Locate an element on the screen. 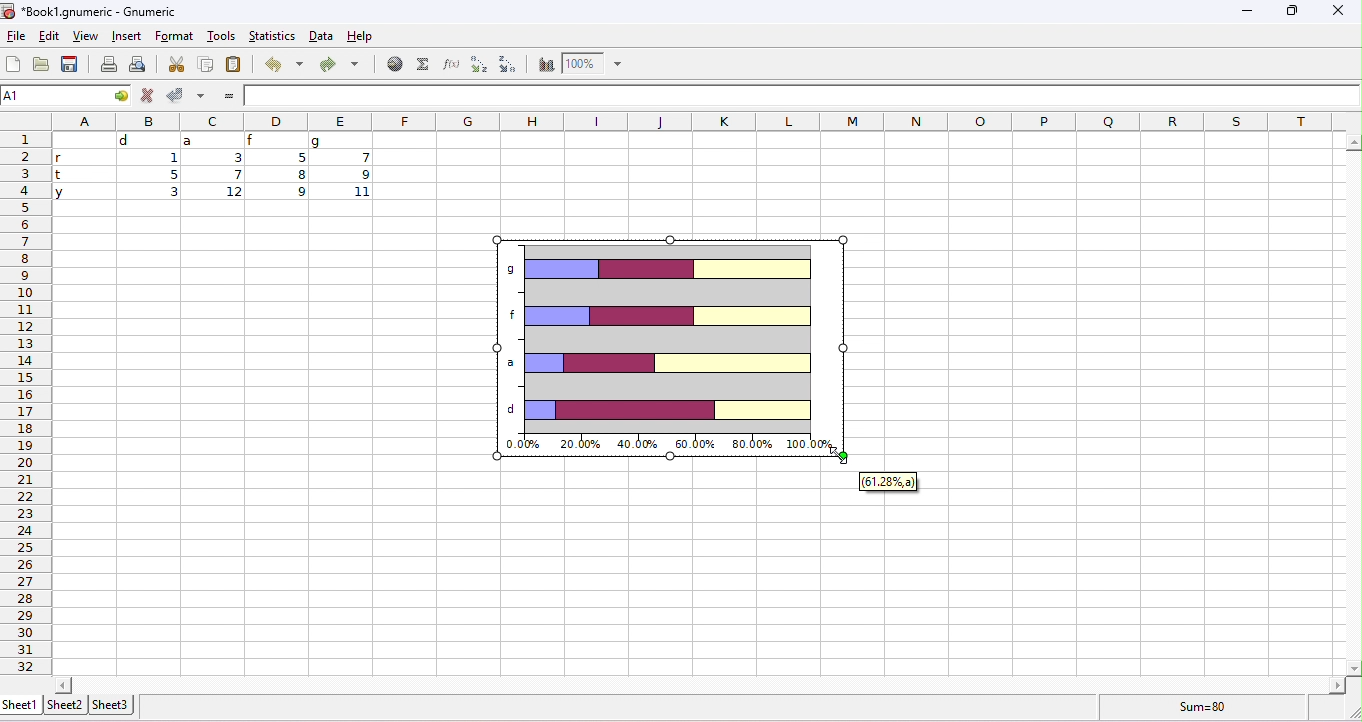 Image resolution: width=1362 pixels, height=722 pixels. file is located at coordinates (14, 36).